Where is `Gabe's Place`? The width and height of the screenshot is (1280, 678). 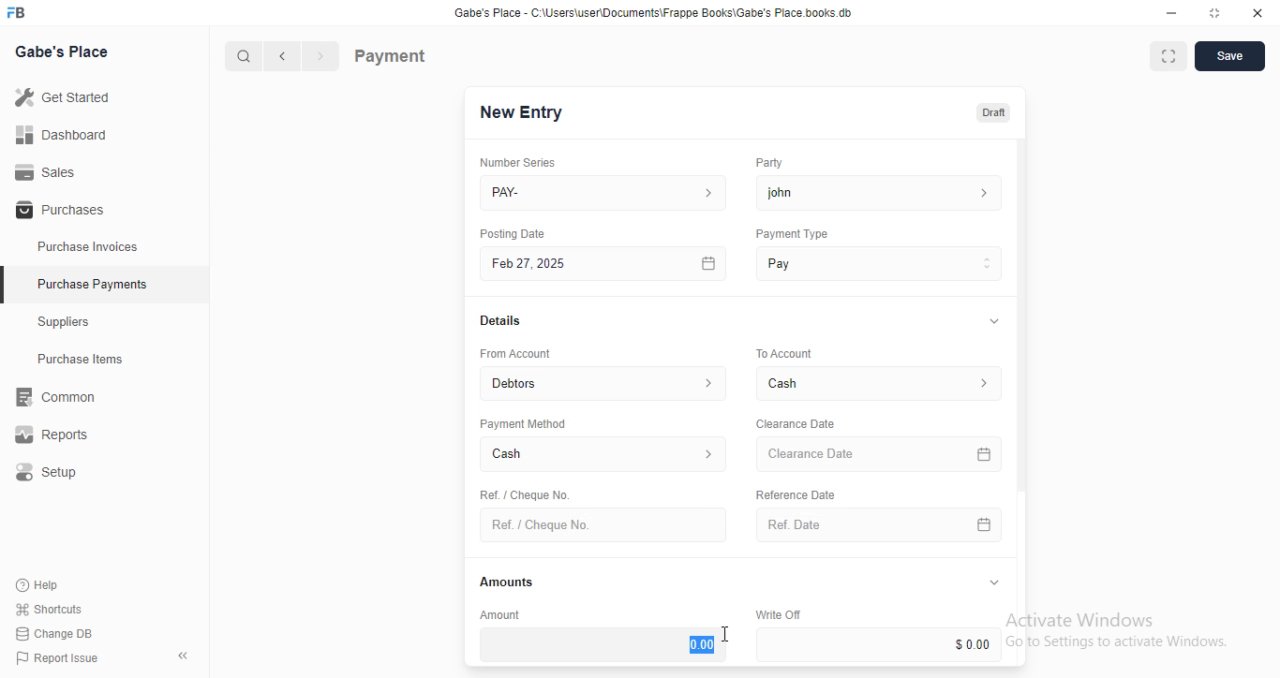 Gabe's Place is located at coordinates (66, 53).